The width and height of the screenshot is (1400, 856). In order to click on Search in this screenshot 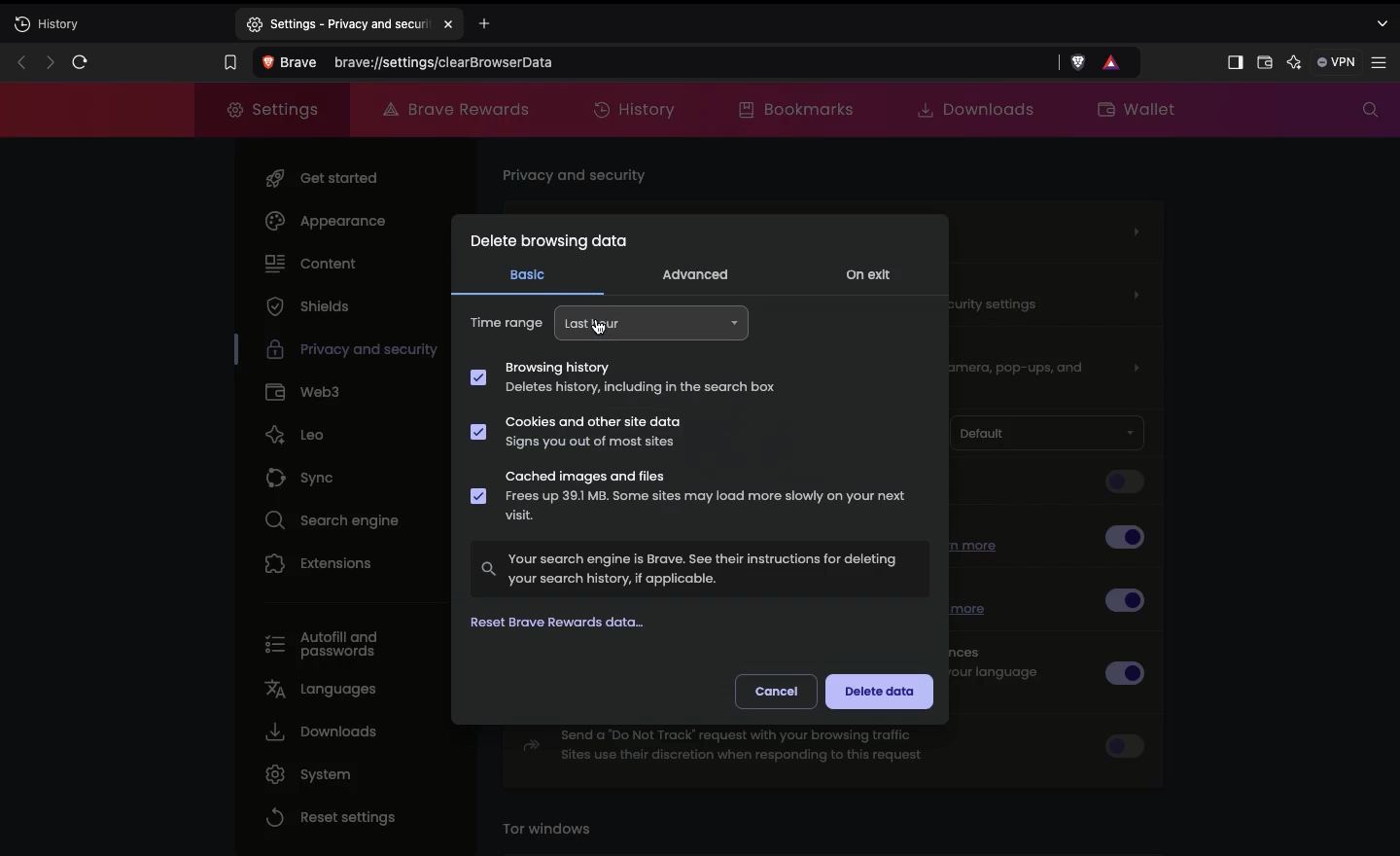, I will do `click(1365, 110)`.